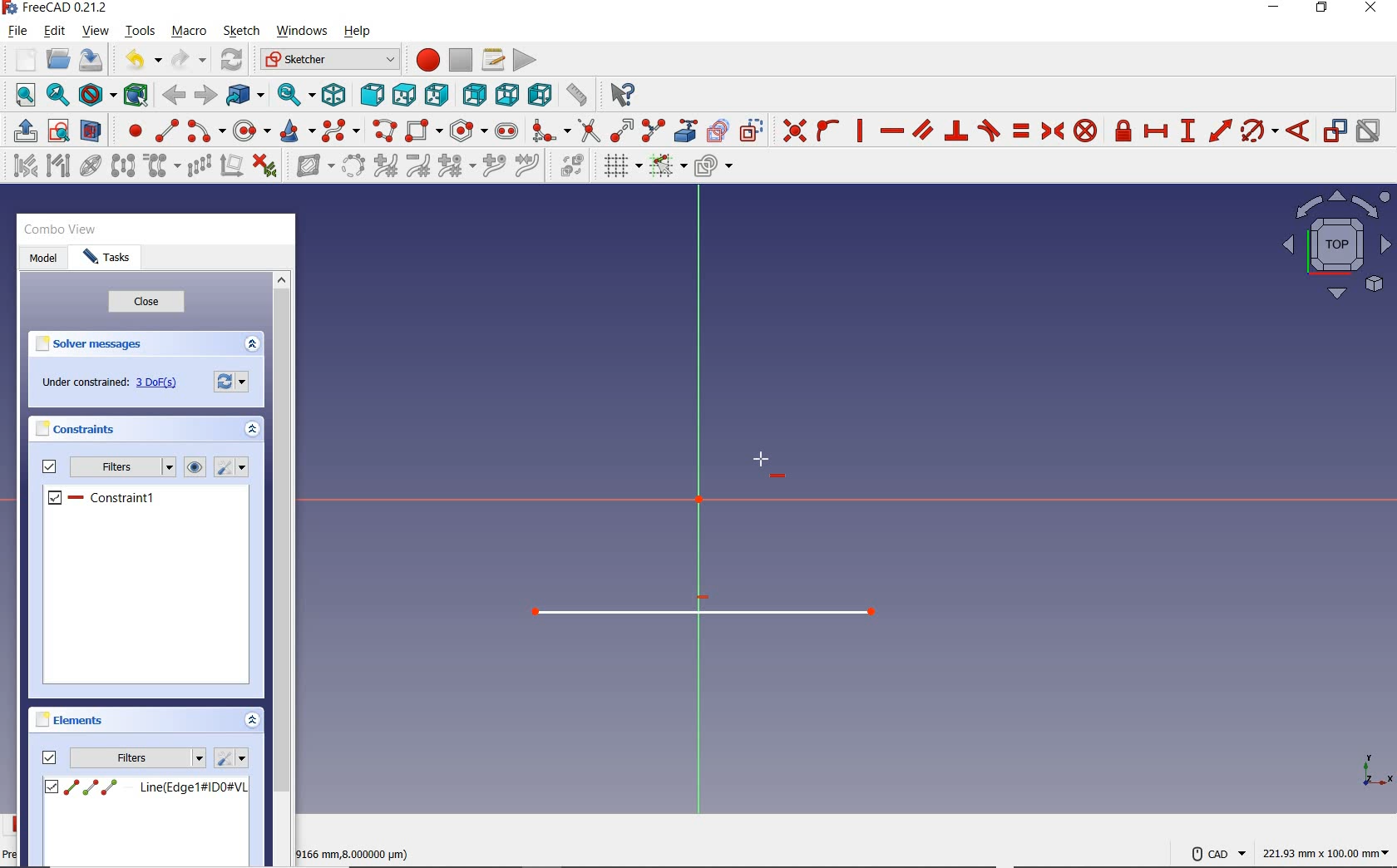 This screenshot has width=1397, height=868. What do you see at coordinates (139, 96) in the screenshot?
I see `BOUNDING BOX` at bounding box center [139, 96].